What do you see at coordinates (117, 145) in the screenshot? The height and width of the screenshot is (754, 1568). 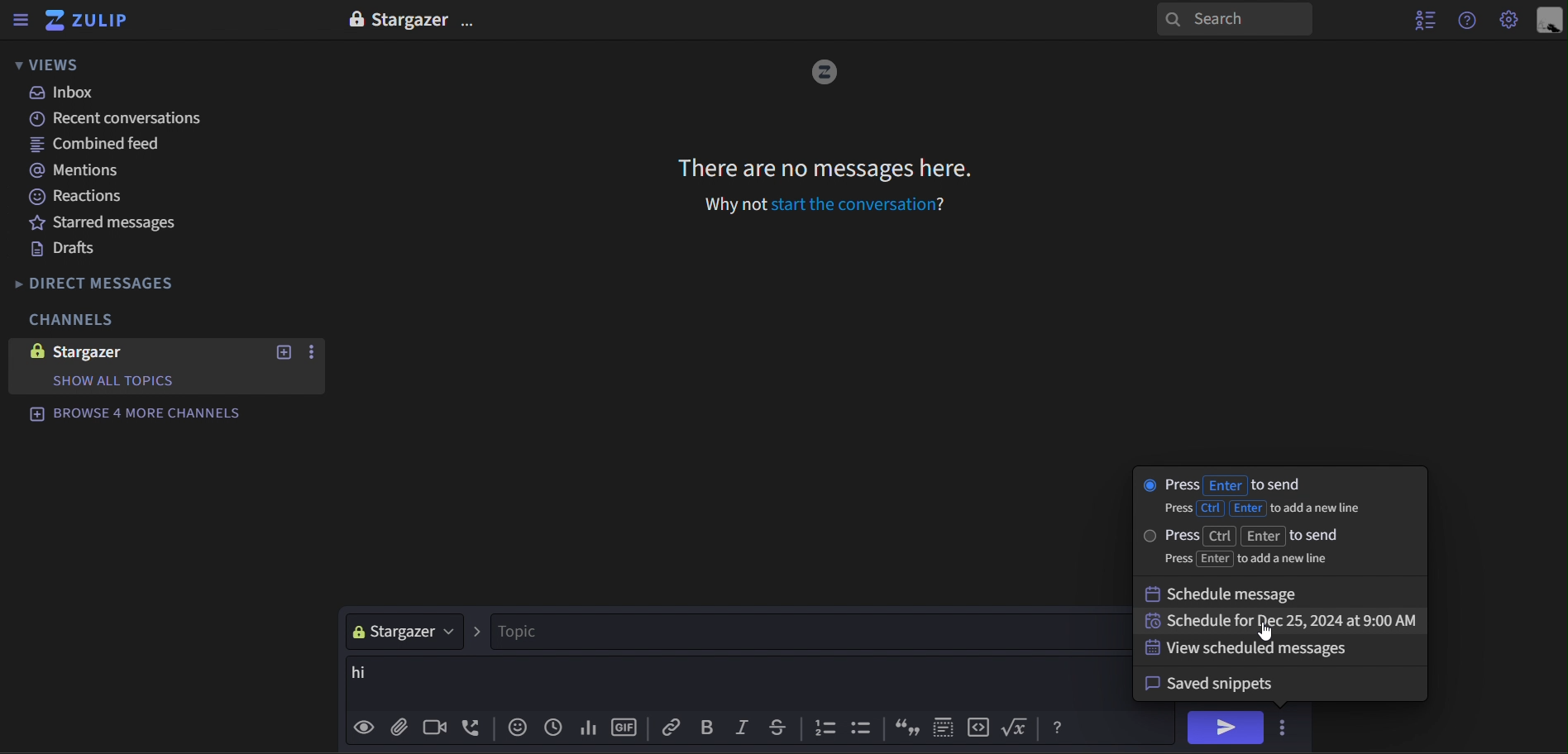 I see `combined feed` at bounding box center [117, 145].